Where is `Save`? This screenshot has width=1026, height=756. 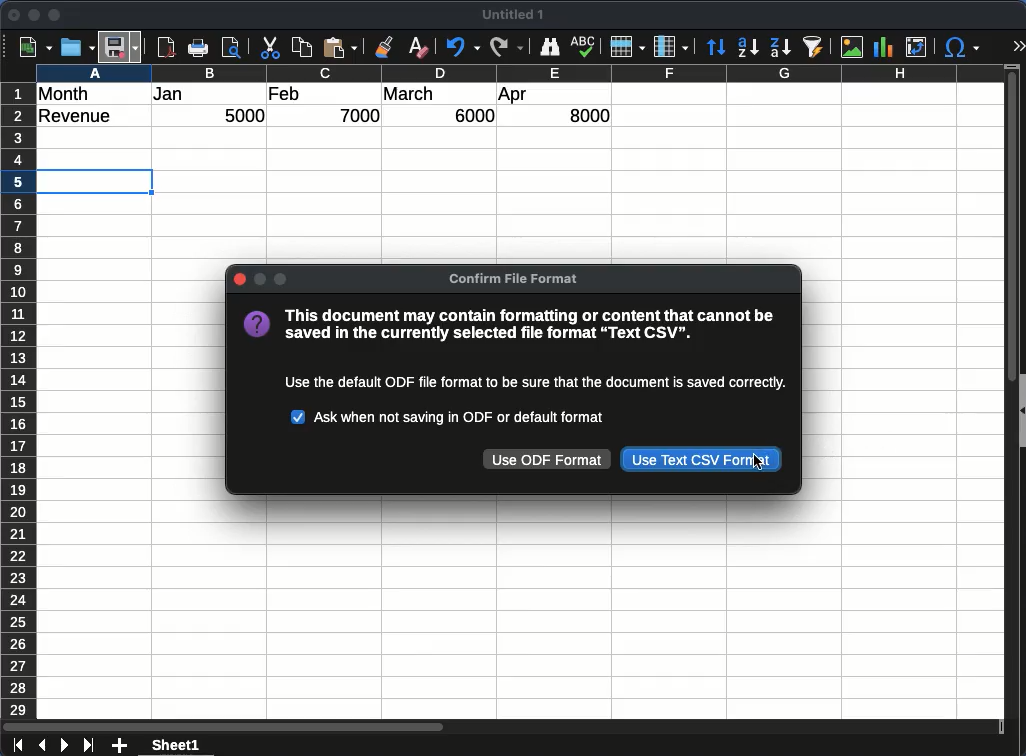
Save is located at coordinates (121, 46).